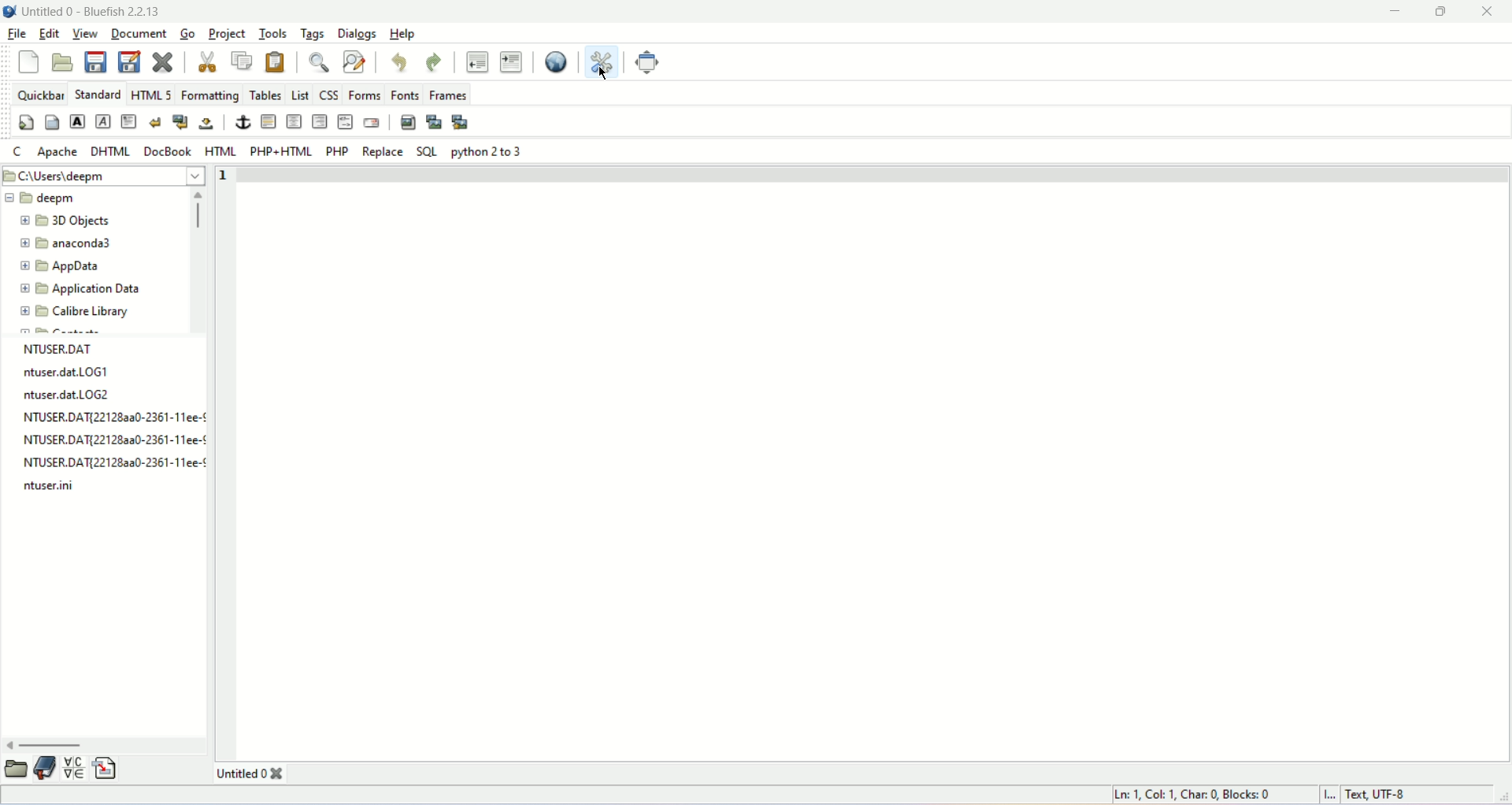 The width and height of the screenshot is (1512, 805). Describe the element at coordinates (15, 770) in the screenshot. I see `browse file` at that location.